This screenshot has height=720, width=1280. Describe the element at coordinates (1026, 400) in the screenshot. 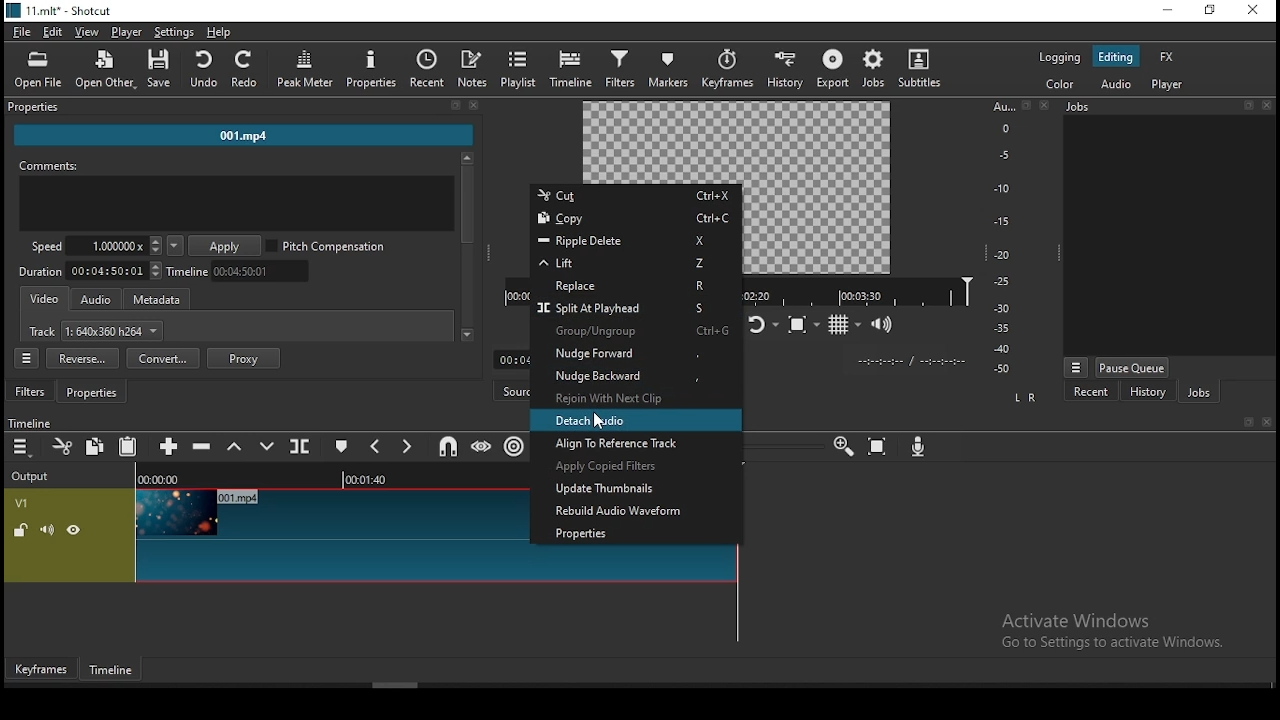

I see `L R` at that location.